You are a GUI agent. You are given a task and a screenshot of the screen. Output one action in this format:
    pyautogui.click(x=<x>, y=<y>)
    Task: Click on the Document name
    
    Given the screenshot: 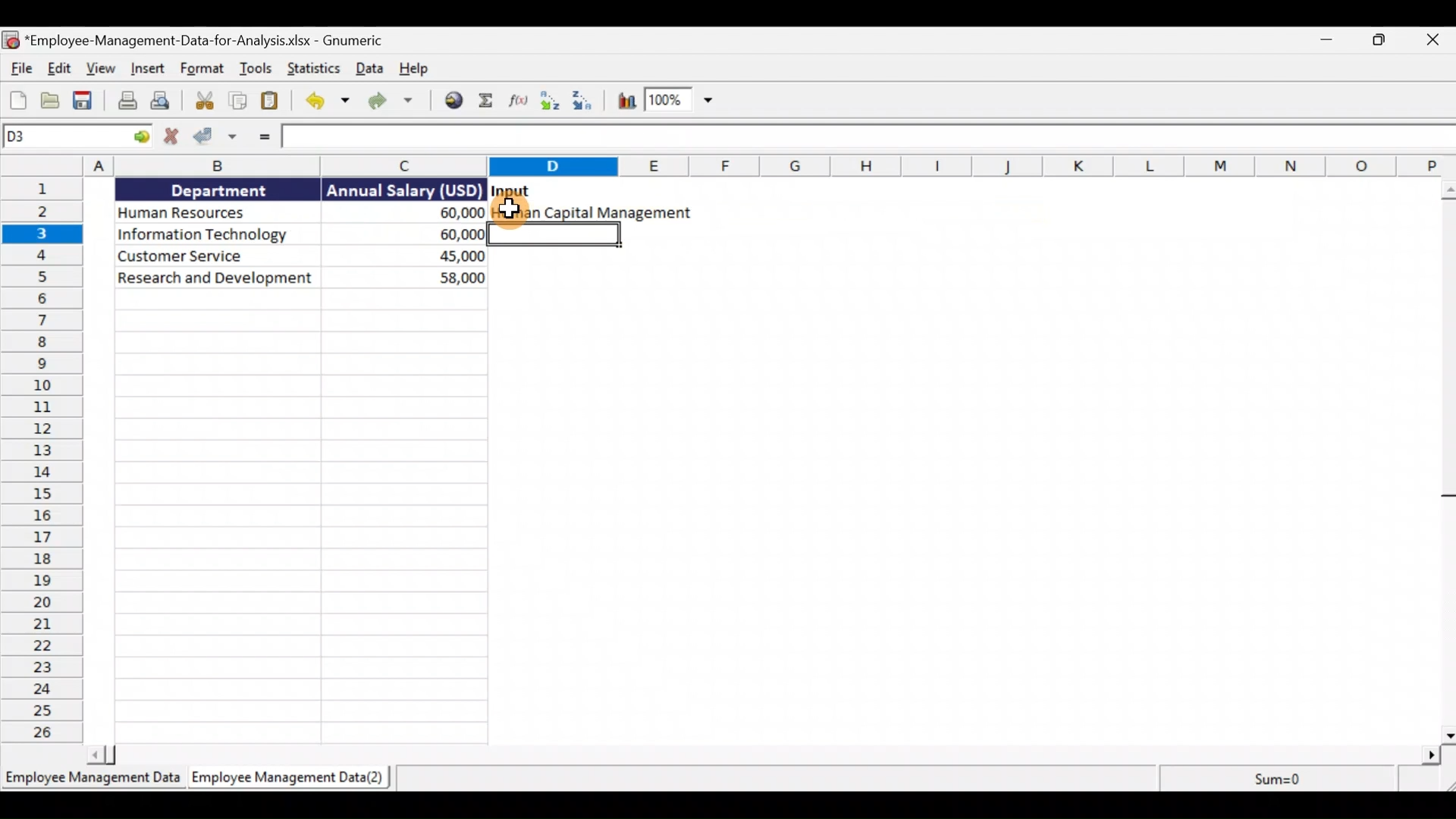 What is the action you would take?
    pyautogui.click(x=193, y=40)
    